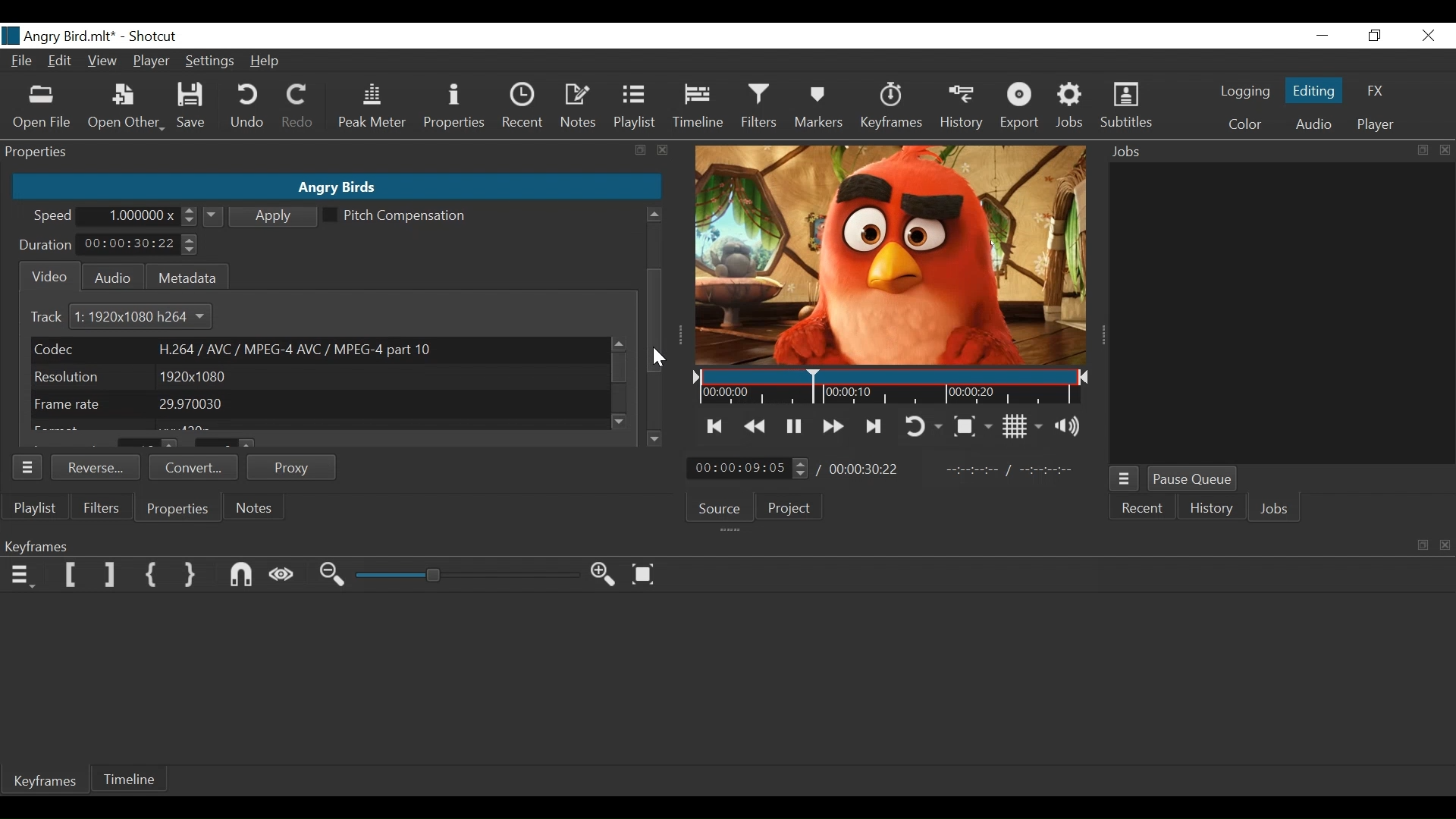  What do you see at coordinates (1023, 108) in the screenshot?
I see `Export` at bounding box center [1023, 108].